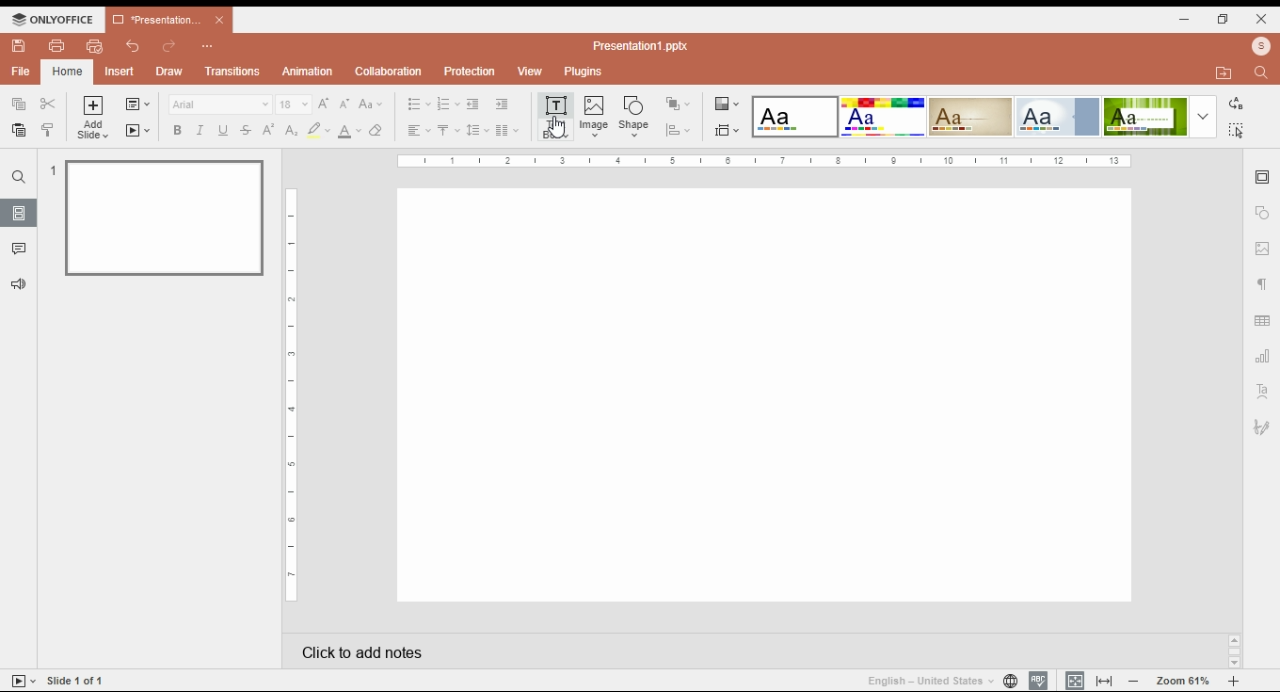 Image resolution: width=1280 pixels, height=692 pixels. What do you see at coordinates (1234, 663) in the screenshot?
I see `scroll down` at bounding box center [1234, 663].